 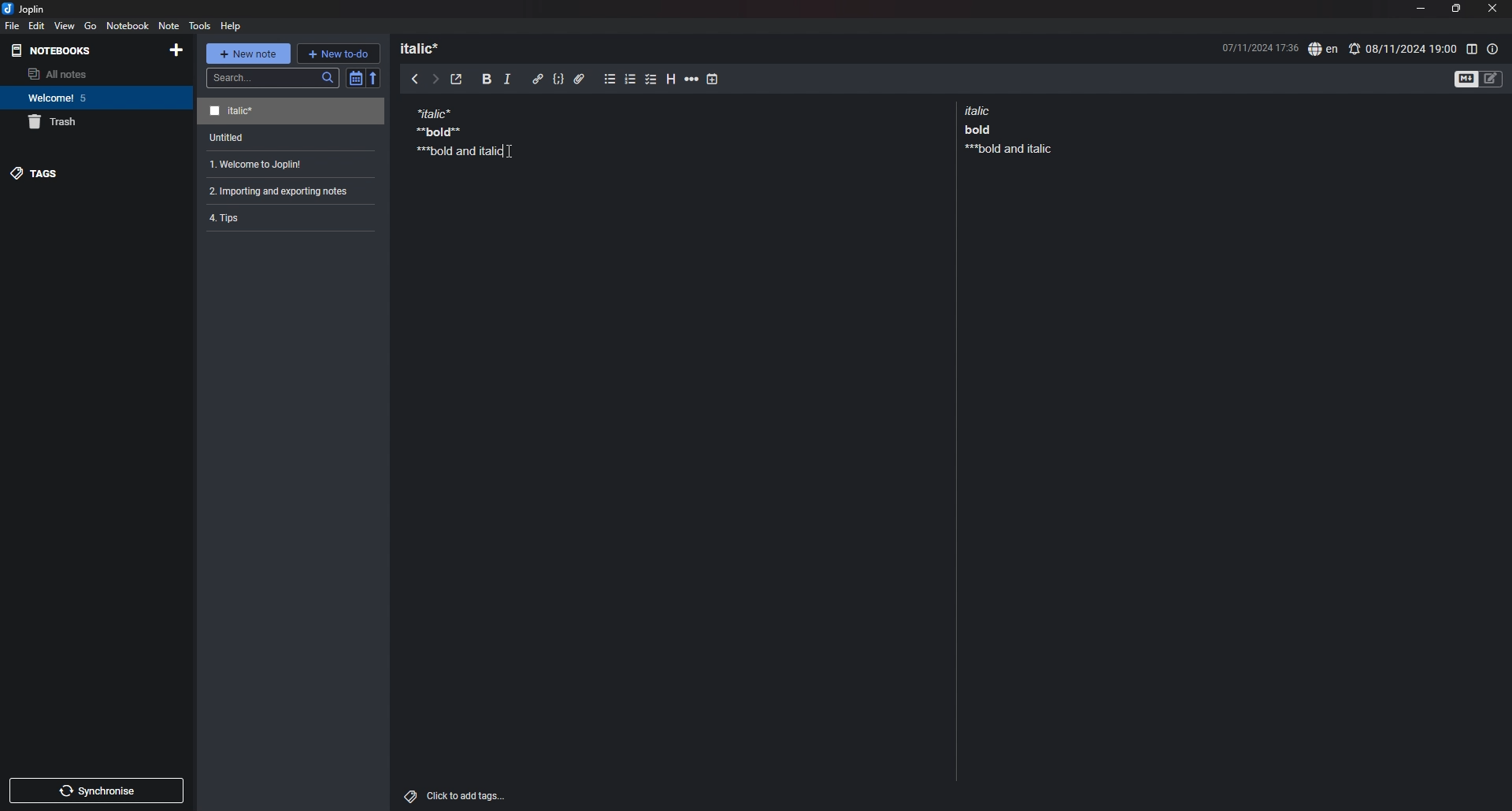 I want to click on resize, so click(x=1455, y=9).